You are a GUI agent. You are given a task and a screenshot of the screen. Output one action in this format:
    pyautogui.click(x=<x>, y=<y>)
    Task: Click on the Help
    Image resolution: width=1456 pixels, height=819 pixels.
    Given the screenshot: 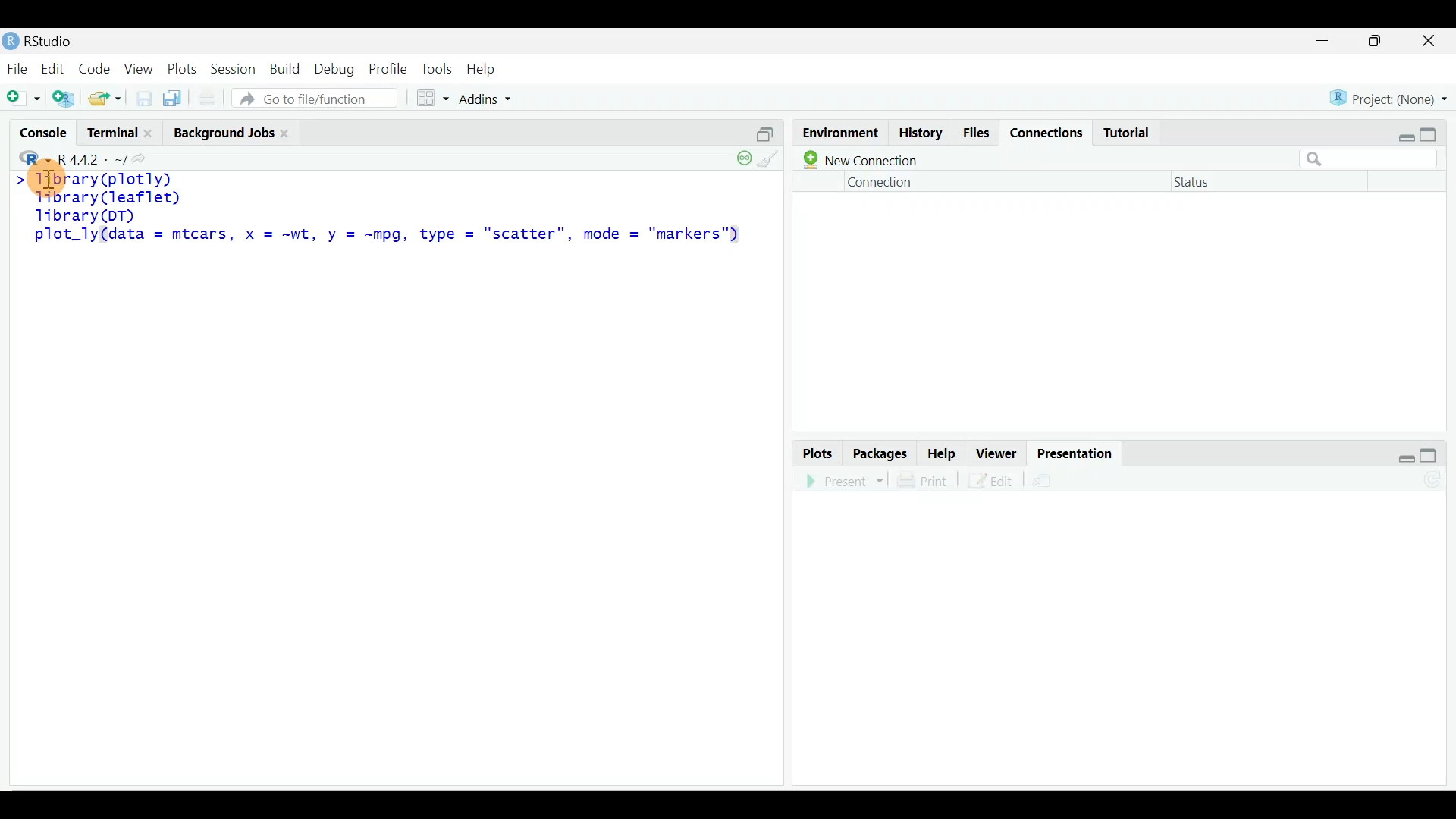 What is the action you would take?
    pyautogui.click(x=943, y=452)
    